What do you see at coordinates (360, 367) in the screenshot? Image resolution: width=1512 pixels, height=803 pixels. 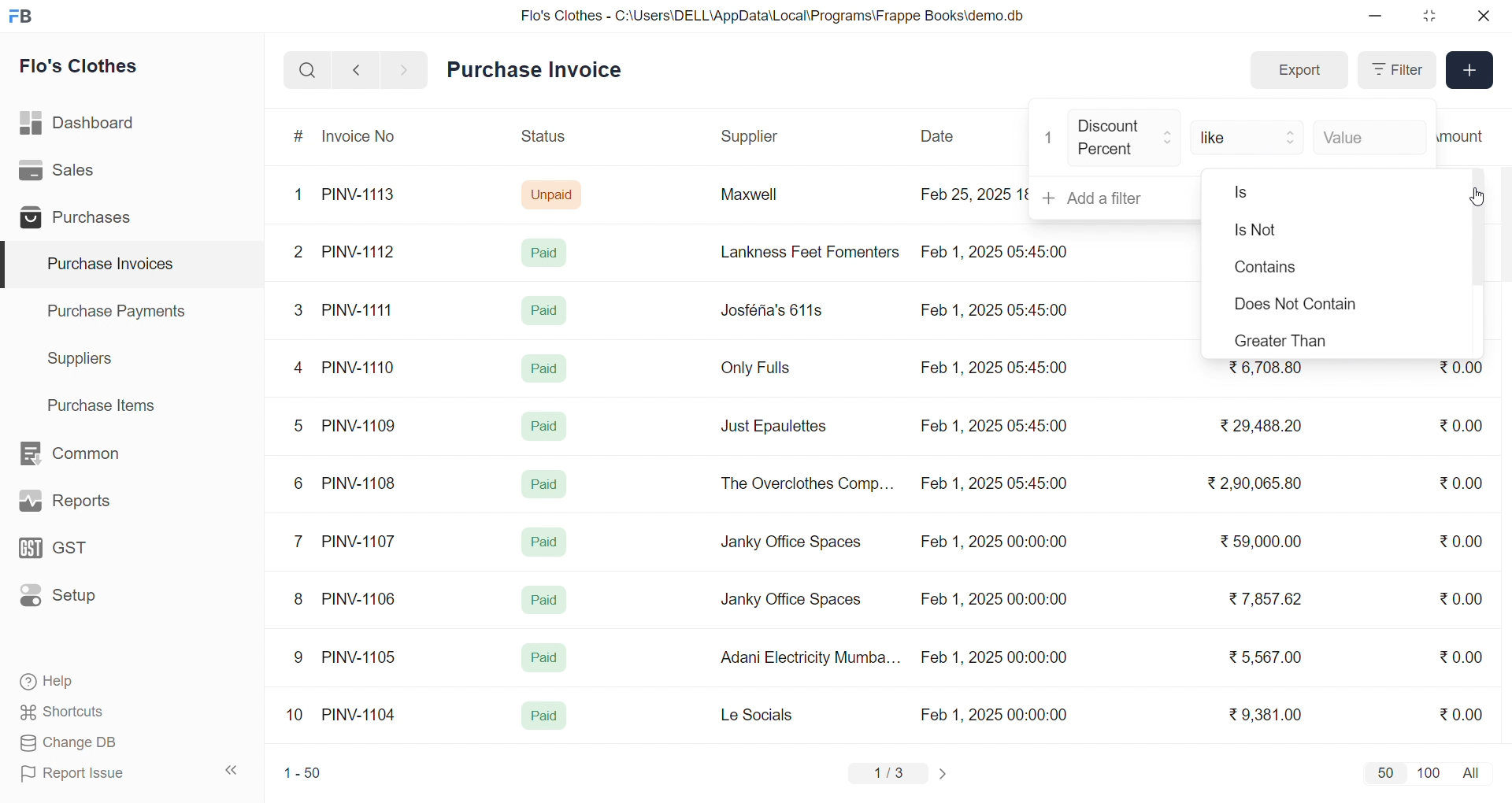 I see `PINV-1110` at bounding box center [360, 367].